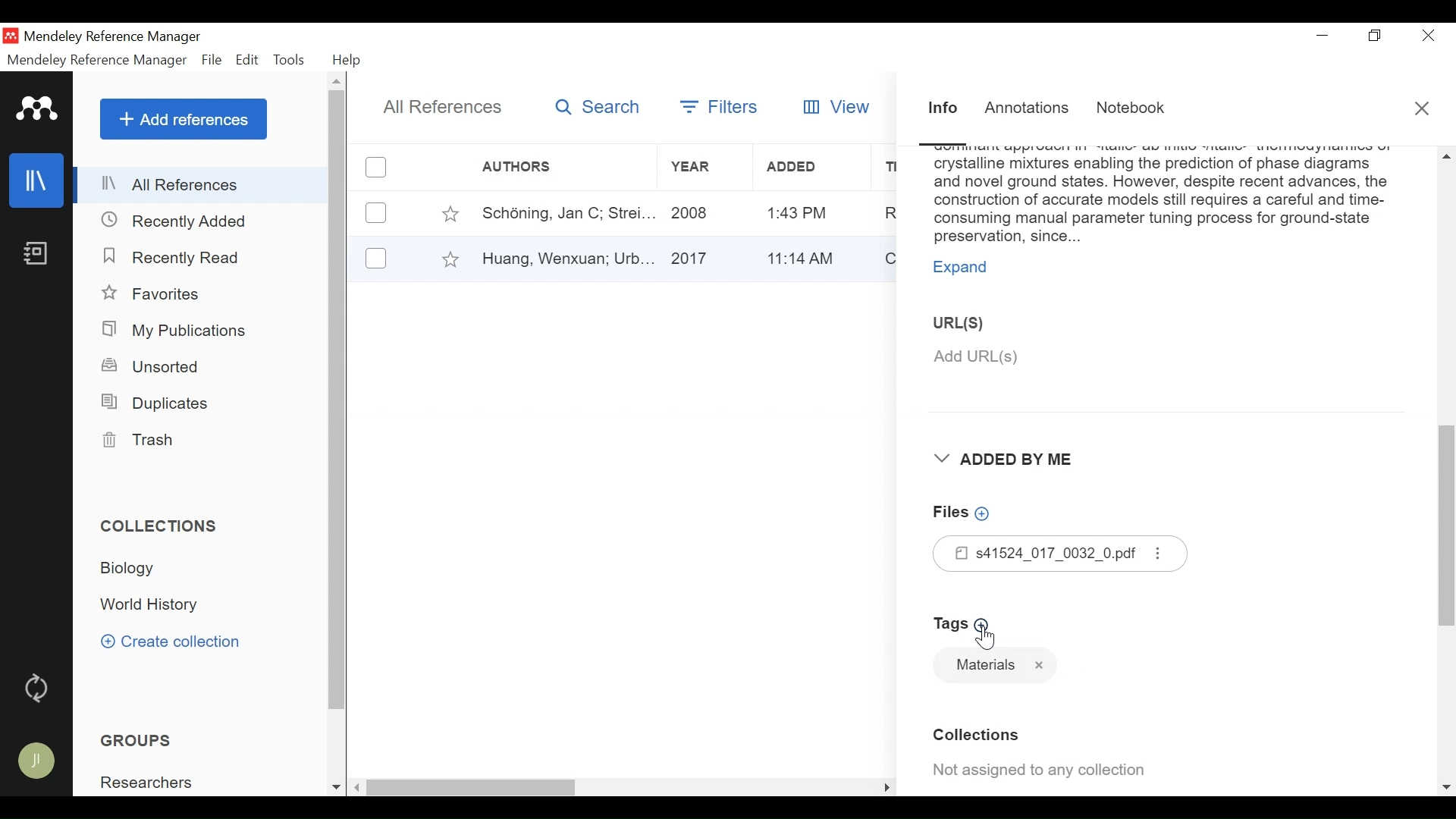 This screenshot has height=819, width=1456. What do you see at coordinates (971, 322) in the screenshot?
I see `URL(S)` at bounding box center [971, 322].